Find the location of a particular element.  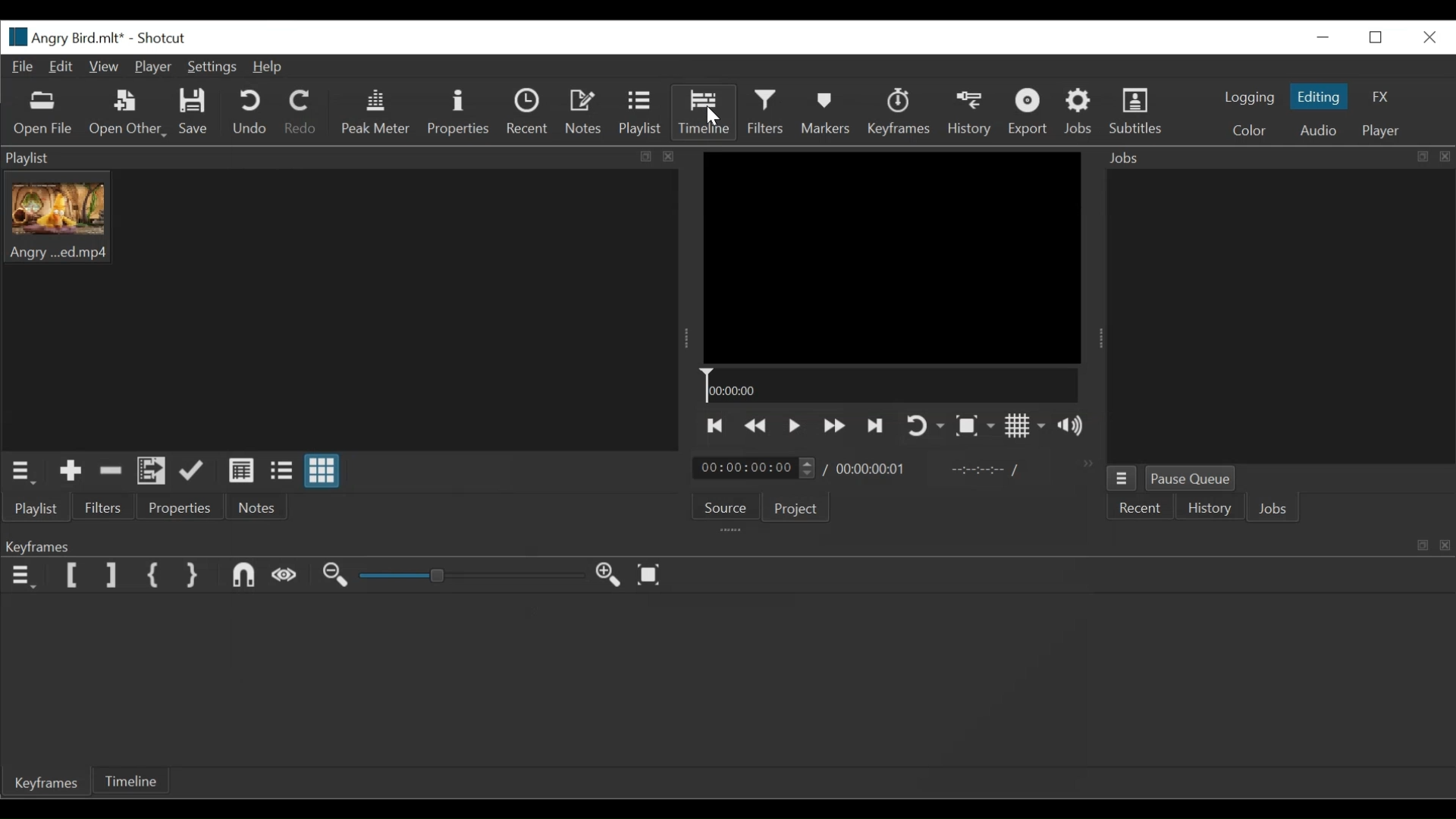

Notes is located at coordinates (584, 110).